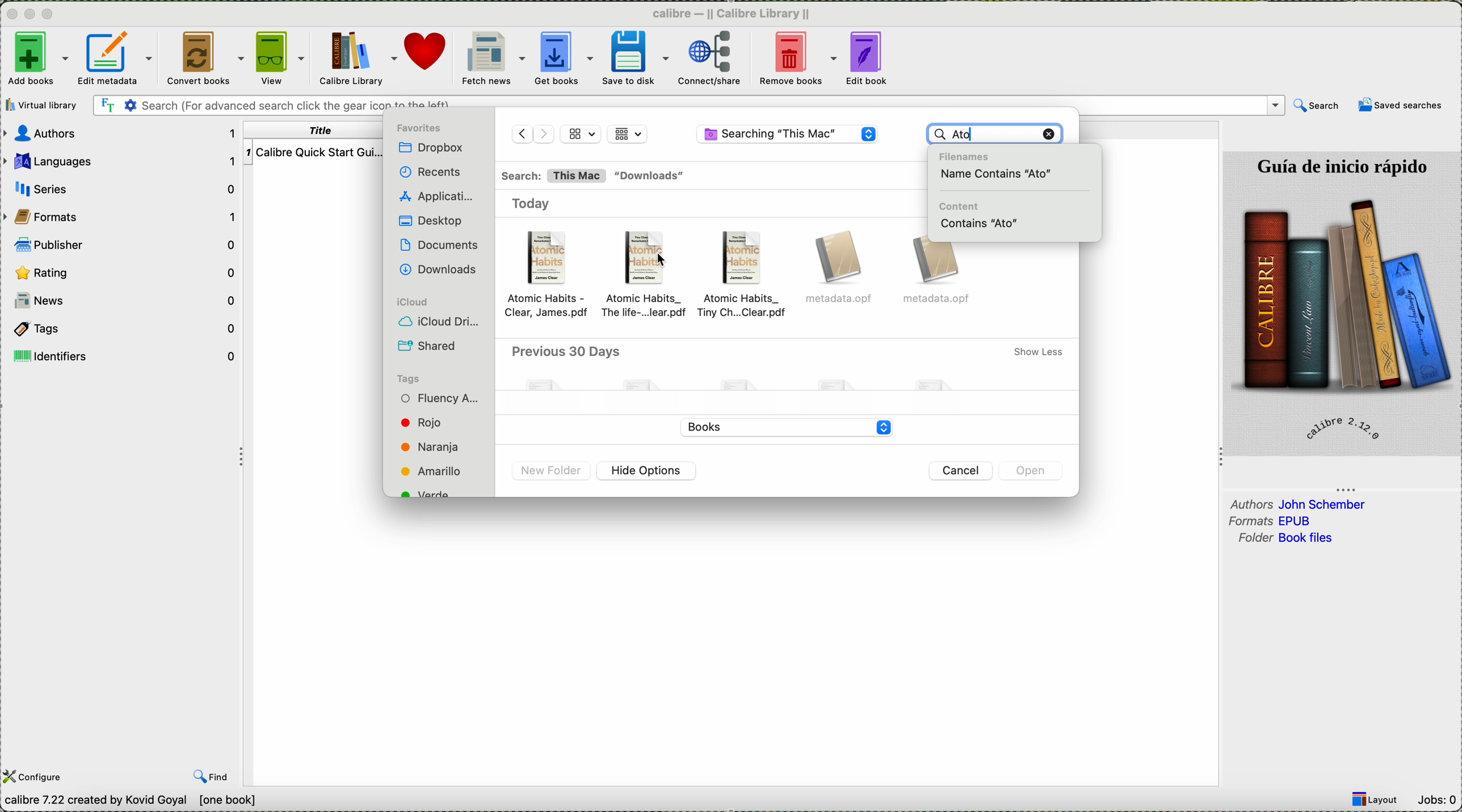 Image resolution: width=1462 pixels, height=812 pixels. I want to click on recents, so click(427, 173).